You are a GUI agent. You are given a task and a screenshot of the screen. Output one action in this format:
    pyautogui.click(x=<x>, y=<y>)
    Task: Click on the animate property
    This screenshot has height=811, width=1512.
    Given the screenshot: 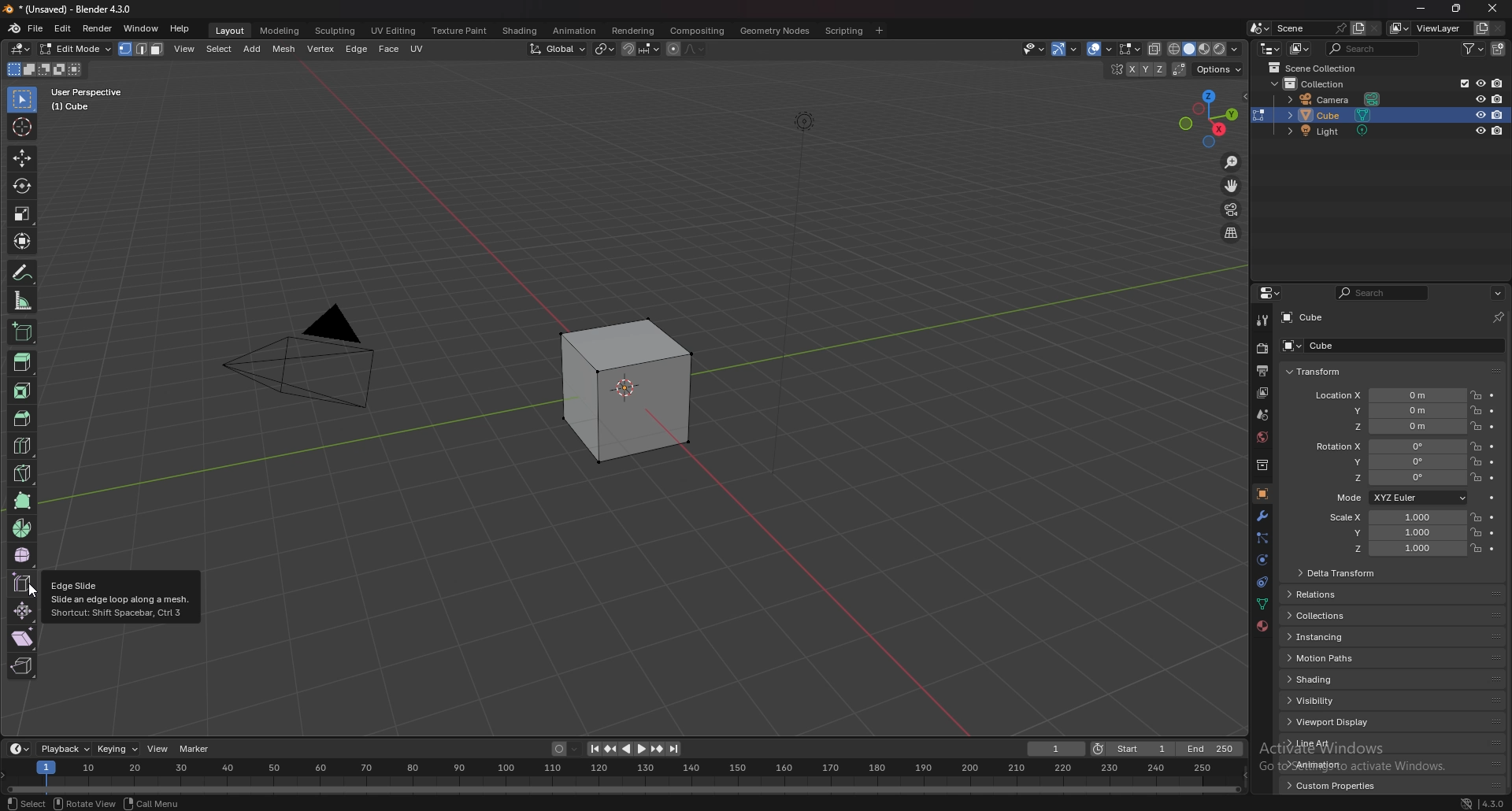 What is the action you would take?
    pyautogui.click(x=1492, y=549)
    